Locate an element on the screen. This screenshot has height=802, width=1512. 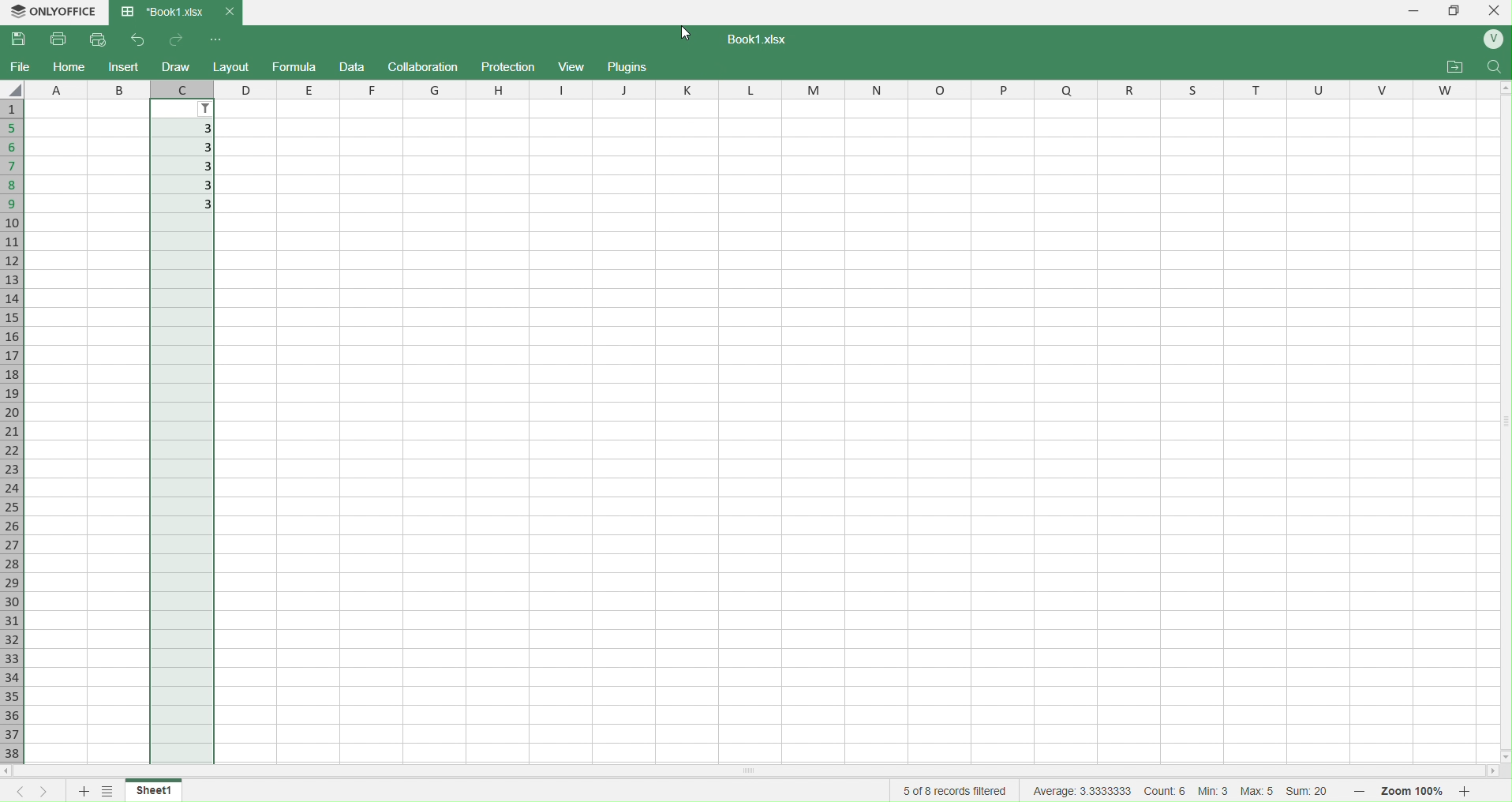
View is located at coordinates (574, 66).